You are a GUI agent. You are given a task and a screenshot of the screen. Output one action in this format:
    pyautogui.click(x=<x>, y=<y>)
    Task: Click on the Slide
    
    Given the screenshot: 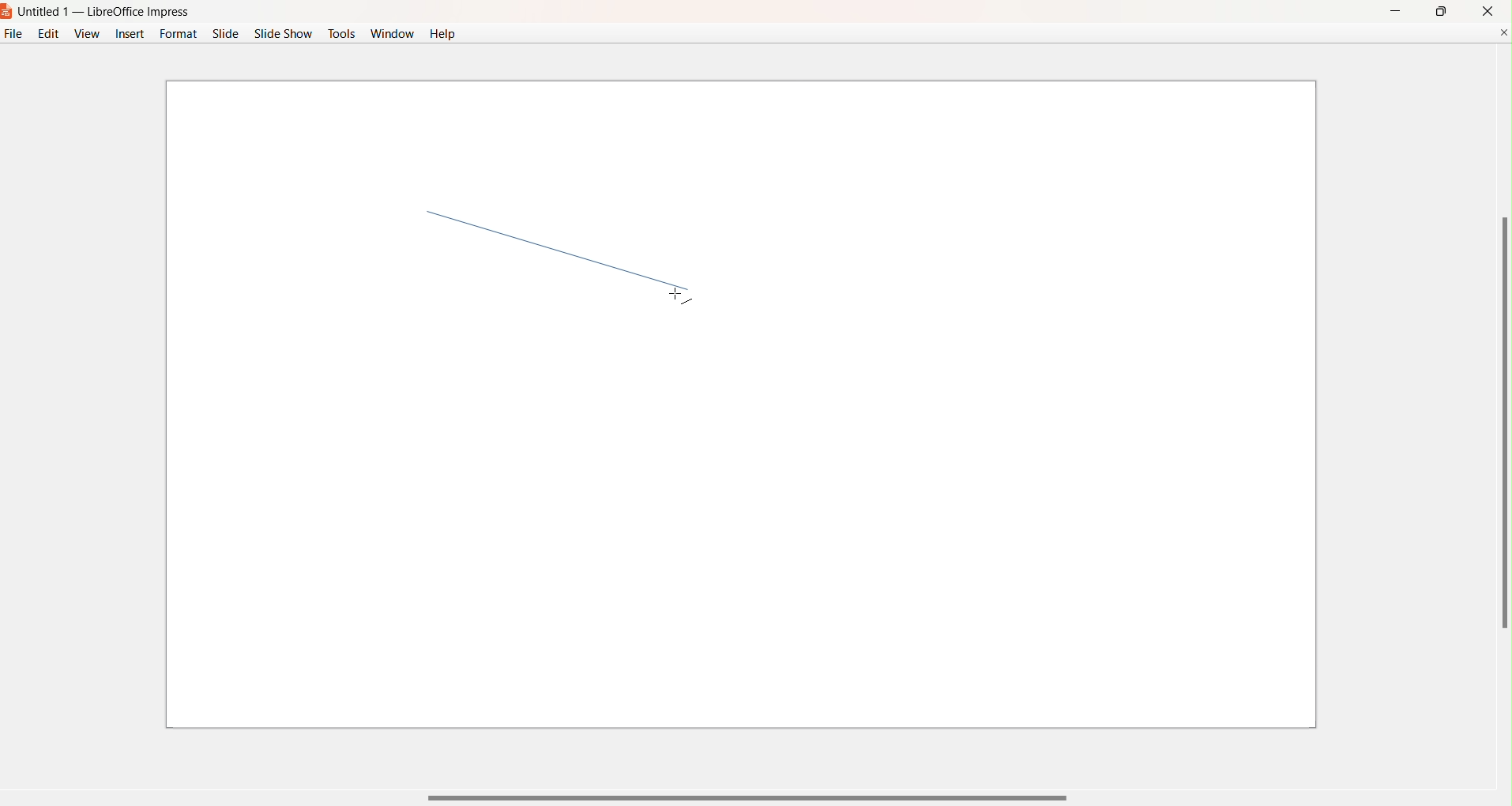 What is the action you would take?
    pyautogui.click(x=226, y=34)
    